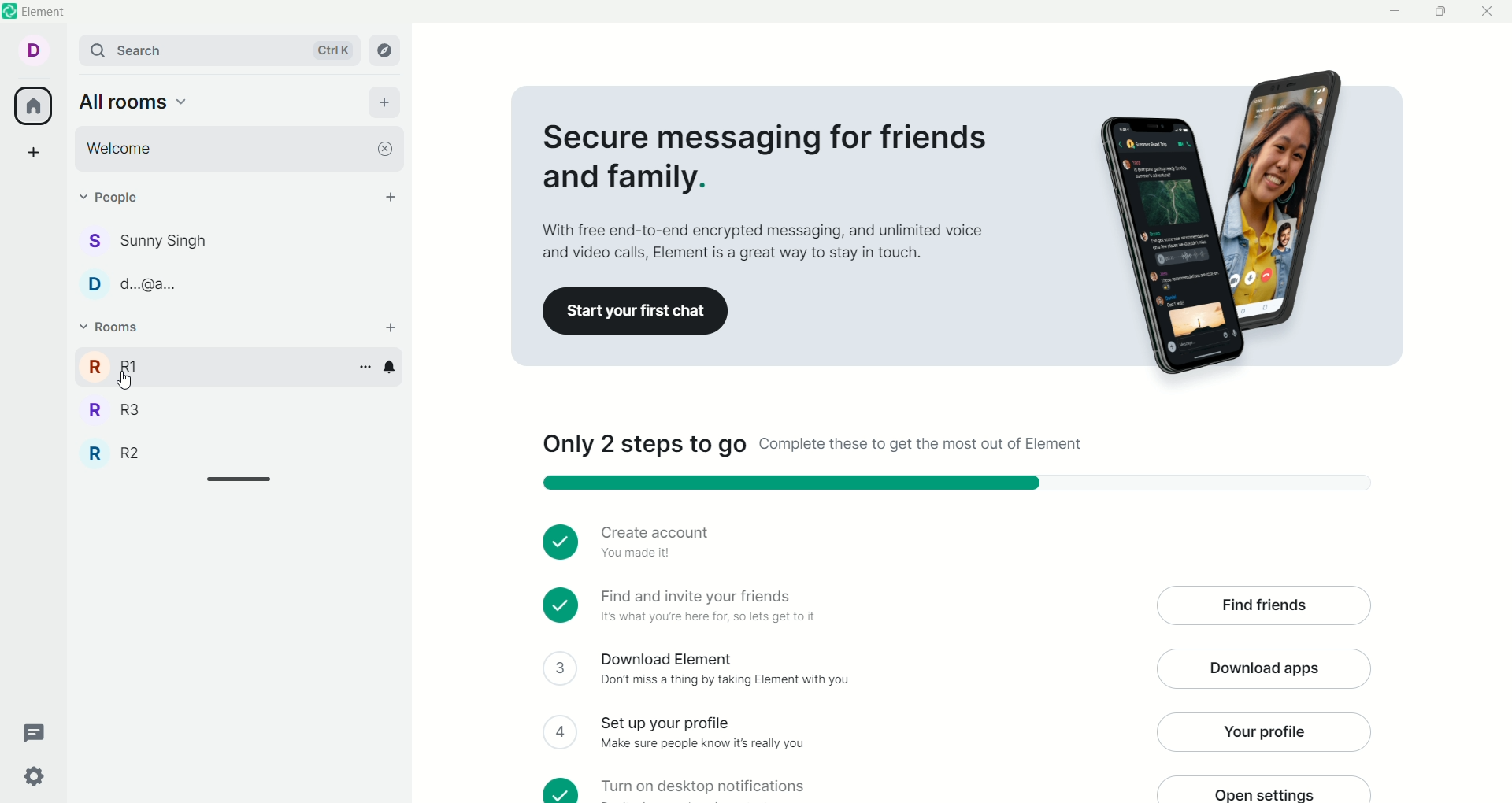  Describe the element at coordinates (561, 542) in the screenshot. I see `Indicates step is done` at that location.